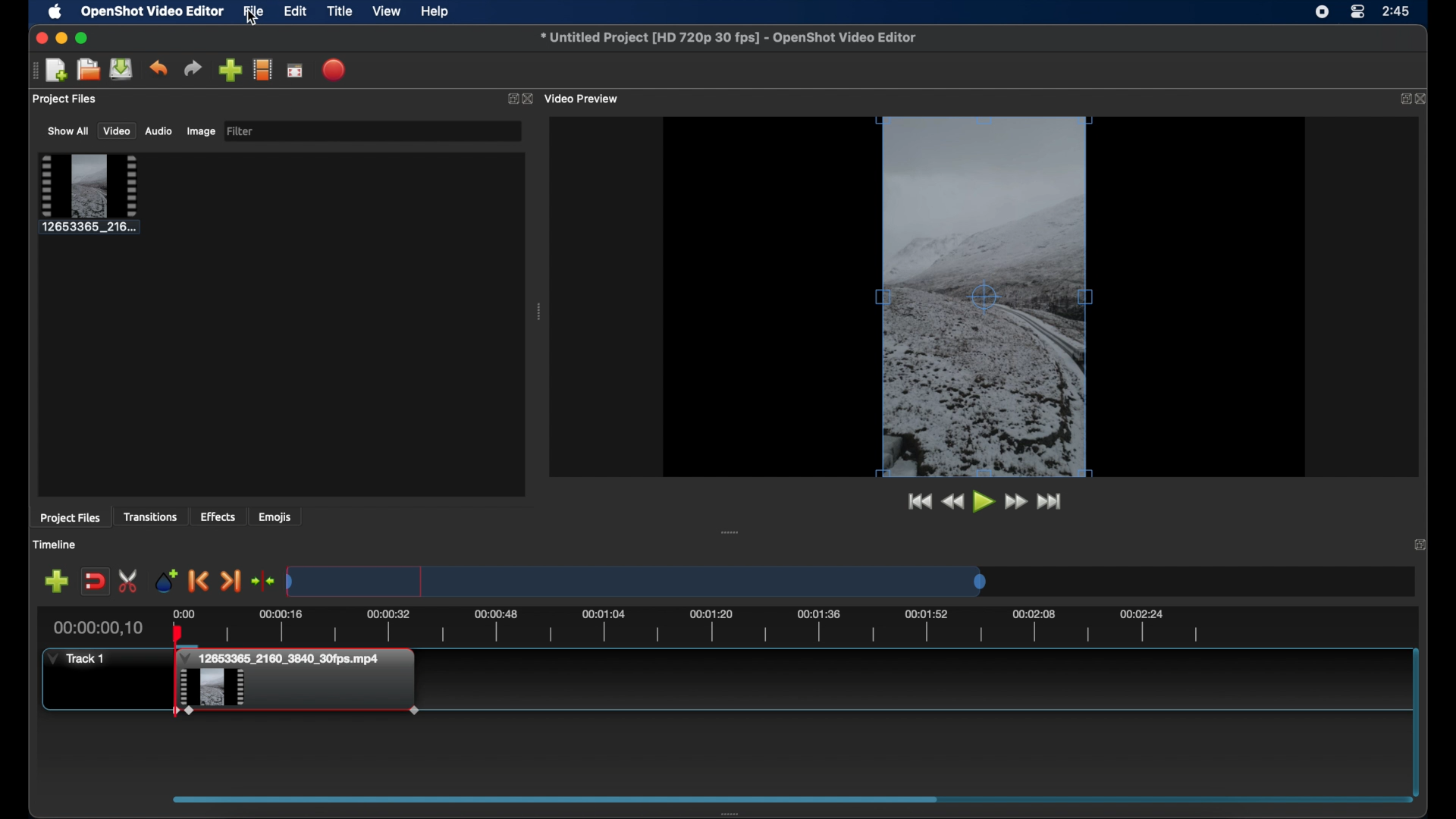 This screenshot has width=1456, height=819. What do you see at coordinates (122, 69) in the screenshot?
I see `save project` at bounding box center [122, 69].